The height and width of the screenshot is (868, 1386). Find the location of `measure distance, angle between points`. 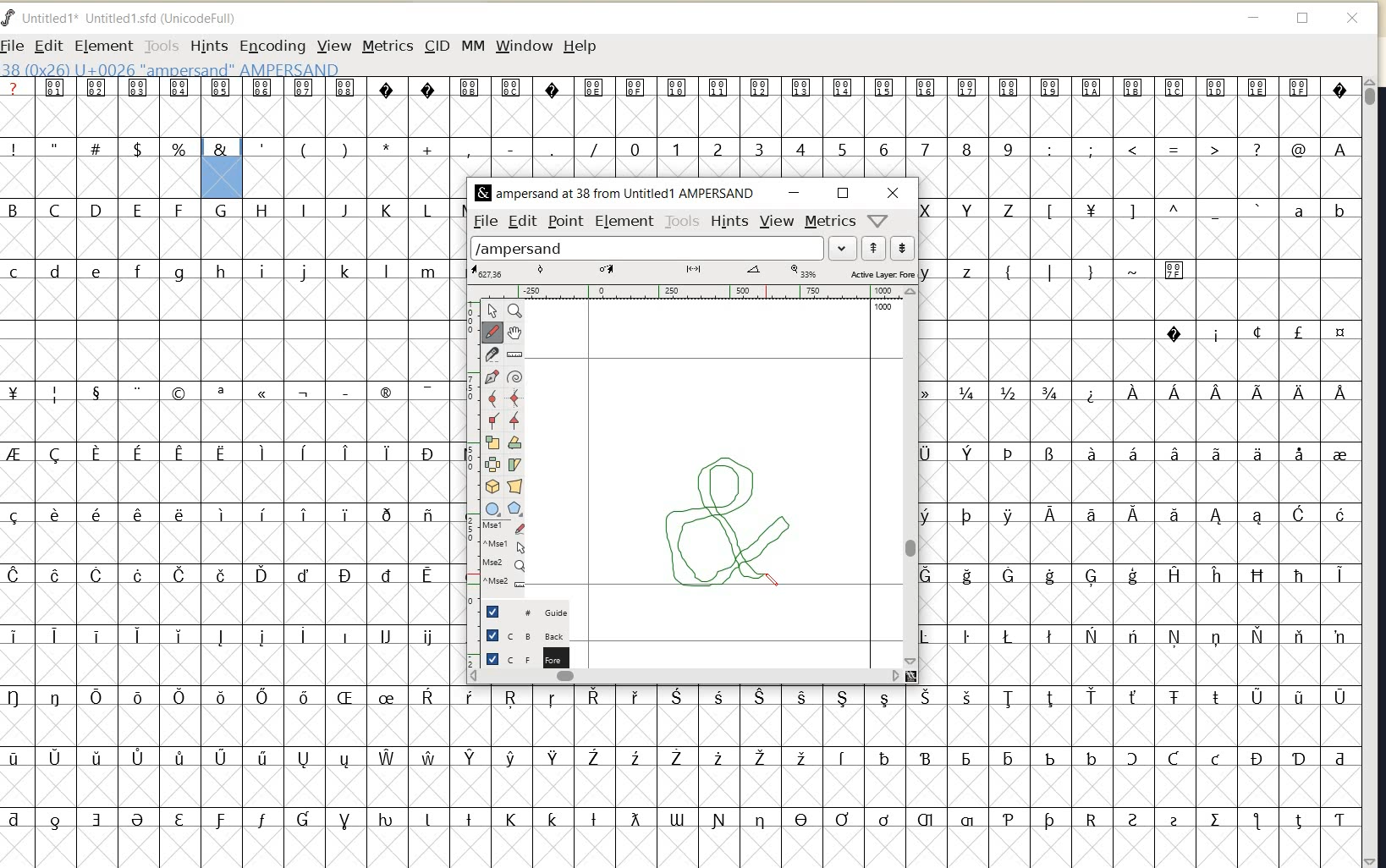

measure distance, angle between points is located at coordinates (514, 354).